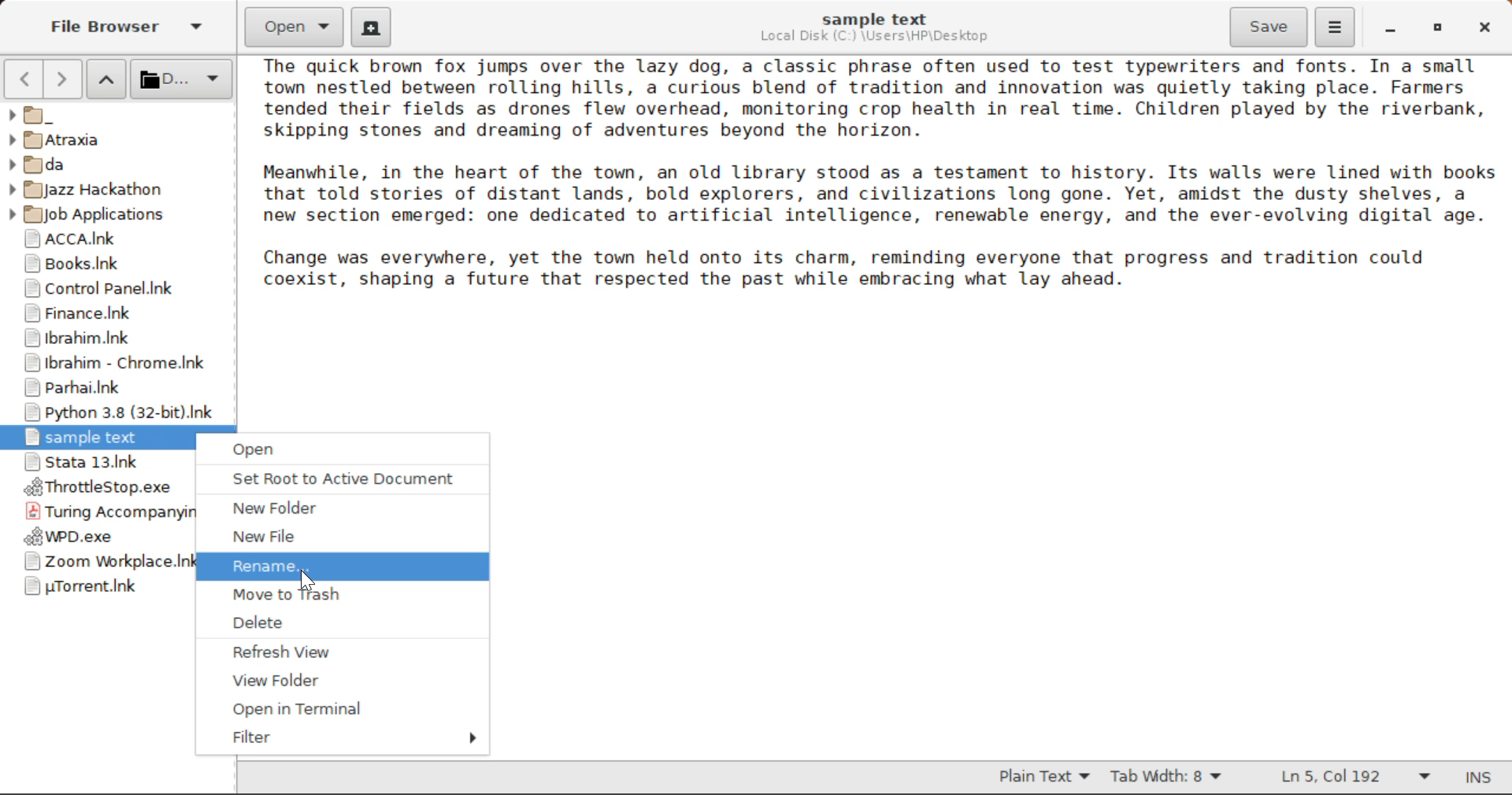 This screenshot has width=1512, height=795. What do you see at coordinates (370, 26) in the screenshot?
I see `Create New Document` at bounding box center [370, 26].